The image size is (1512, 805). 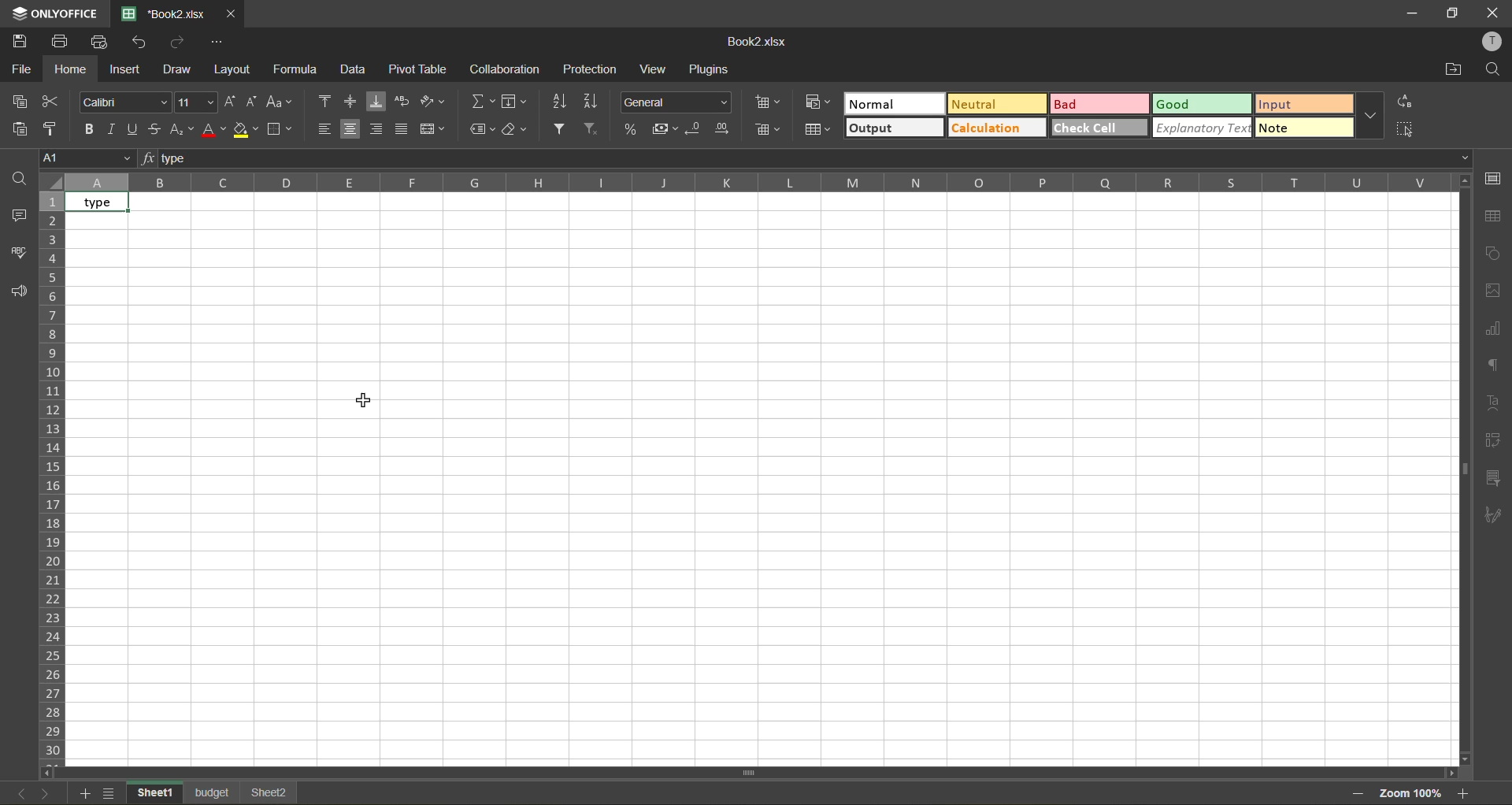 What do you see at coordinates (434, 129) in the screenshot?
I see `merge and center` at bounding box center [434, 129].